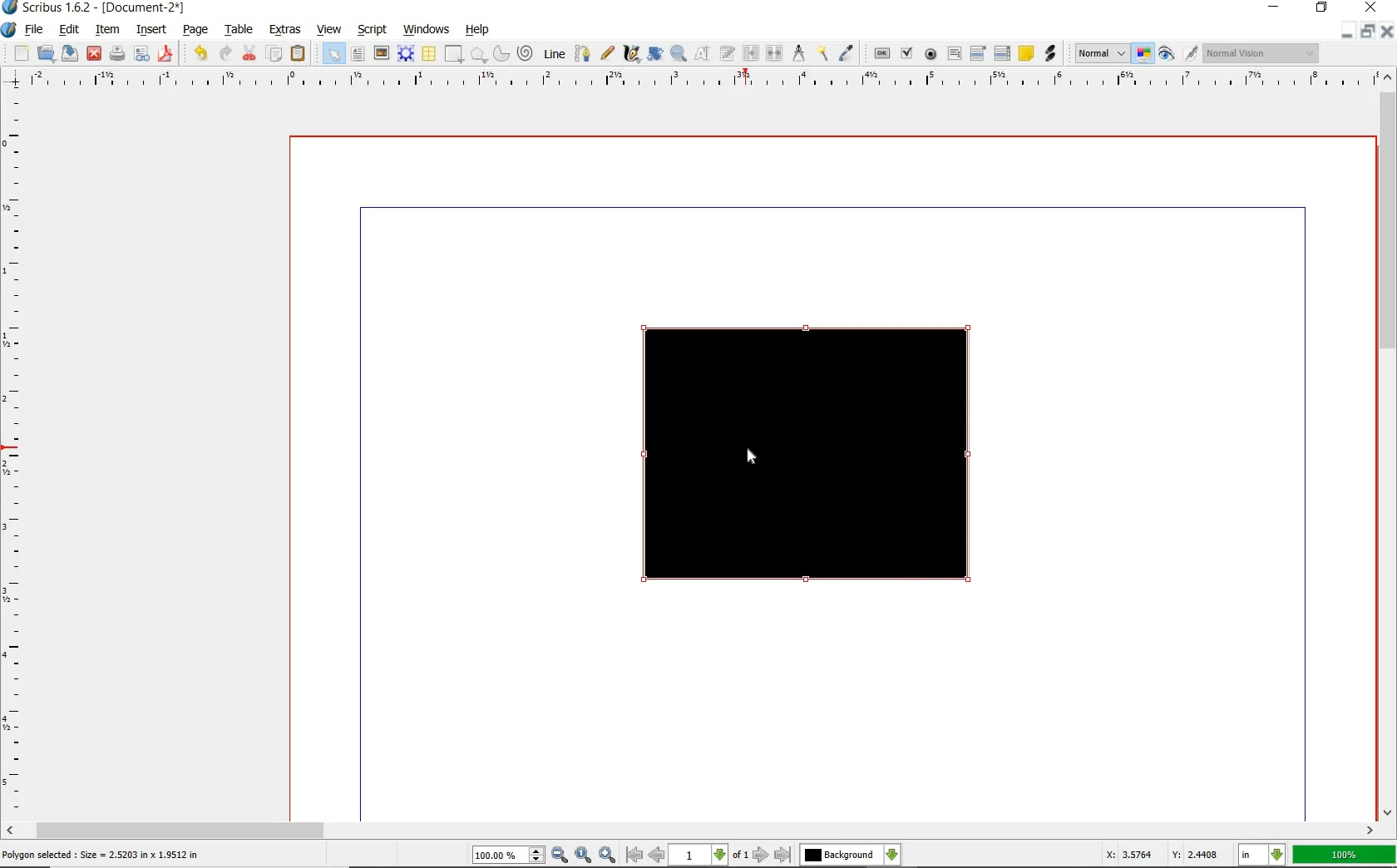 The image size is (1397, 868). What do you see at coordinates (360, 53) in the screenshot?
I see `text frame` at bounding box center [360, 53].